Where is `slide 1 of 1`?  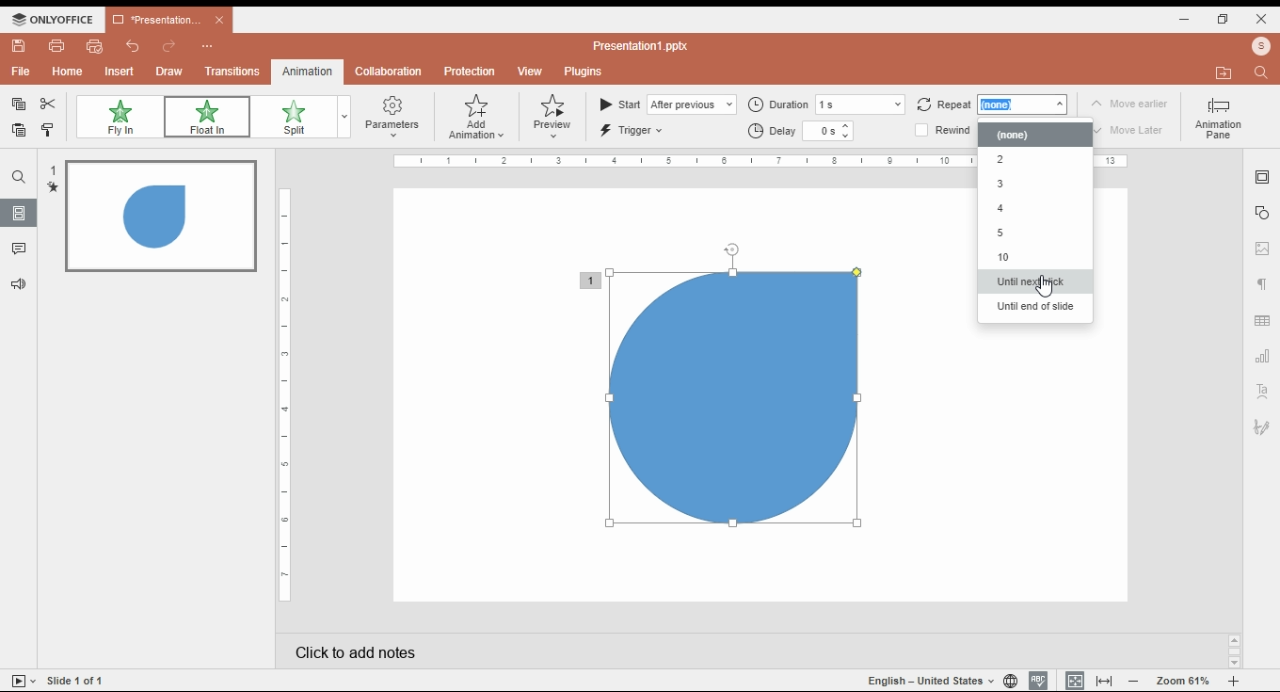
slide 1 of 1 is located at coordinates (80, 680).